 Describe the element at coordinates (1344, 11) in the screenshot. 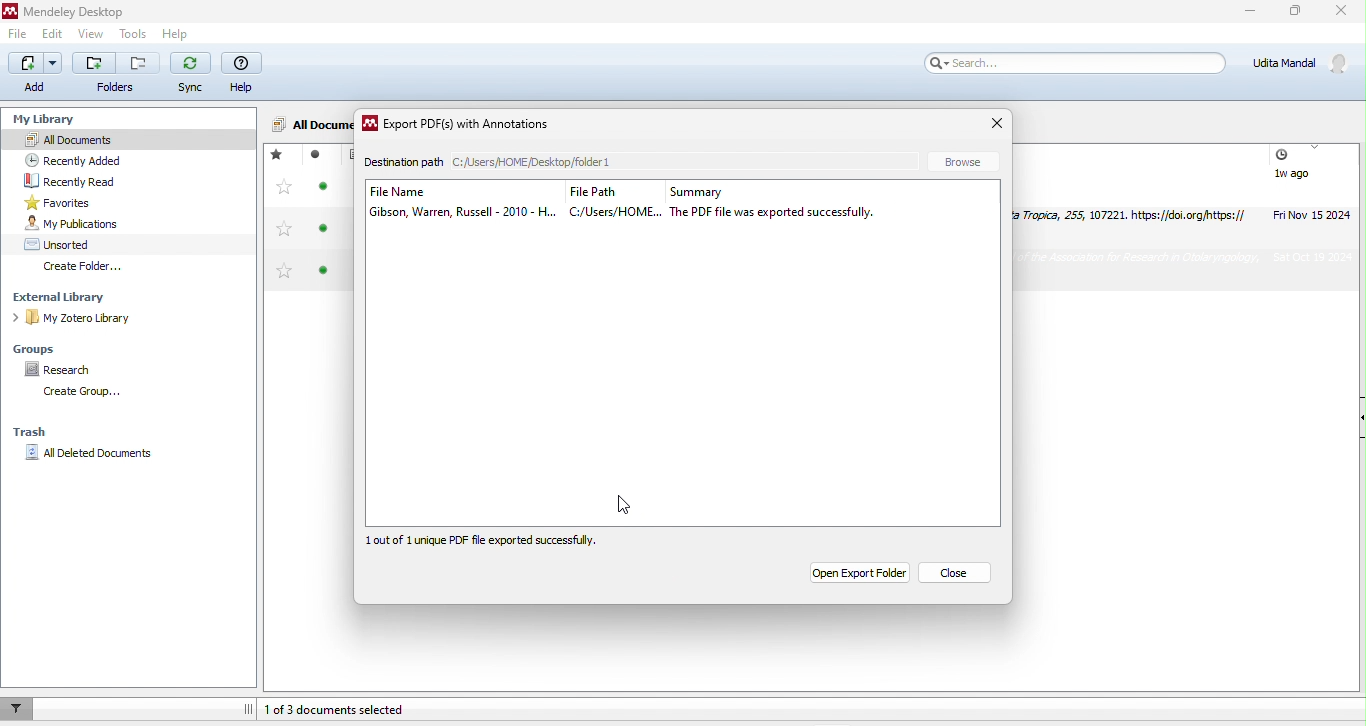

I see `close` at that location.